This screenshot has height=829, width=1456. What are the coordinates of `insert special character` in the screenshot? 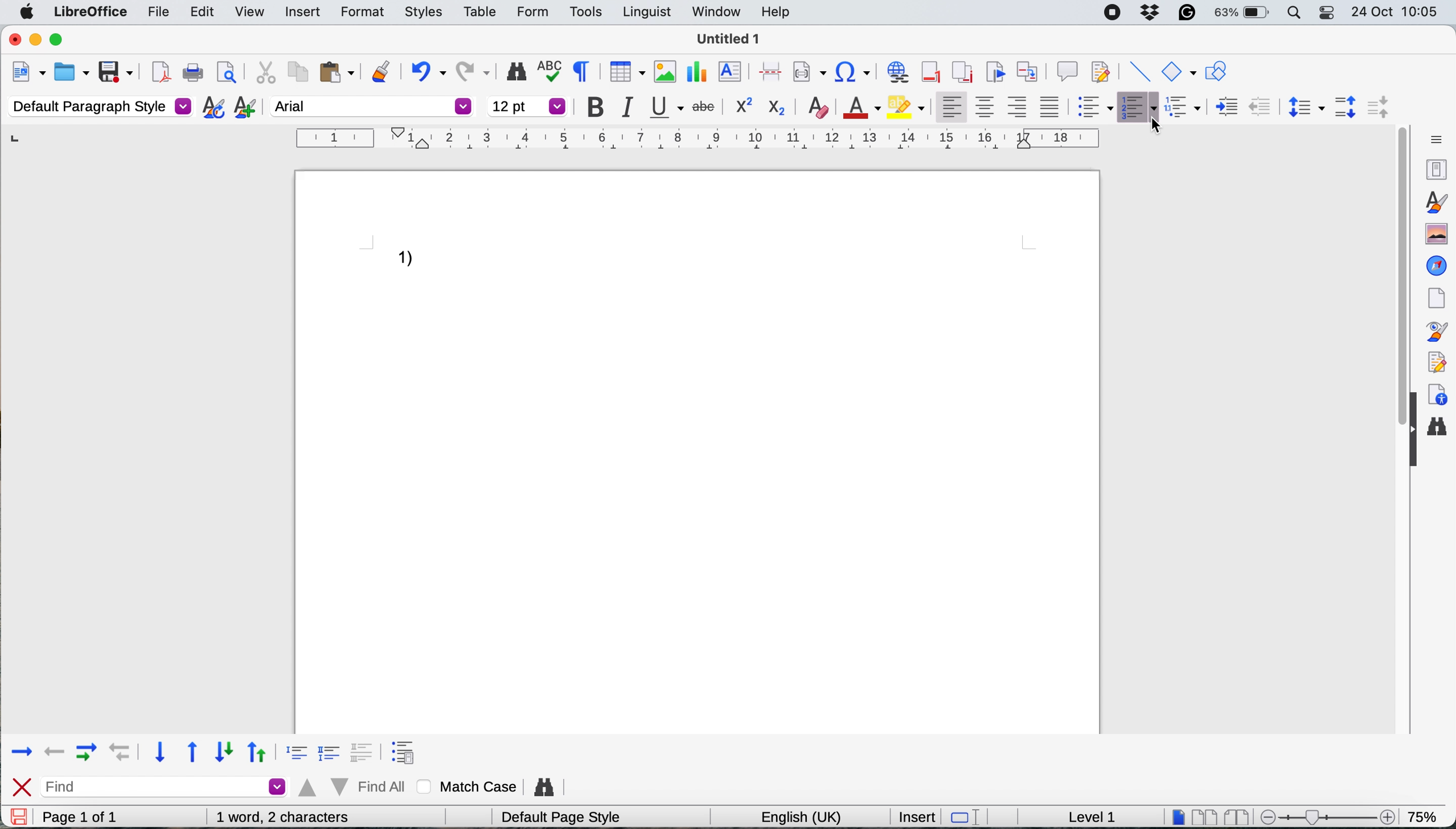 It's located at (854, 72).